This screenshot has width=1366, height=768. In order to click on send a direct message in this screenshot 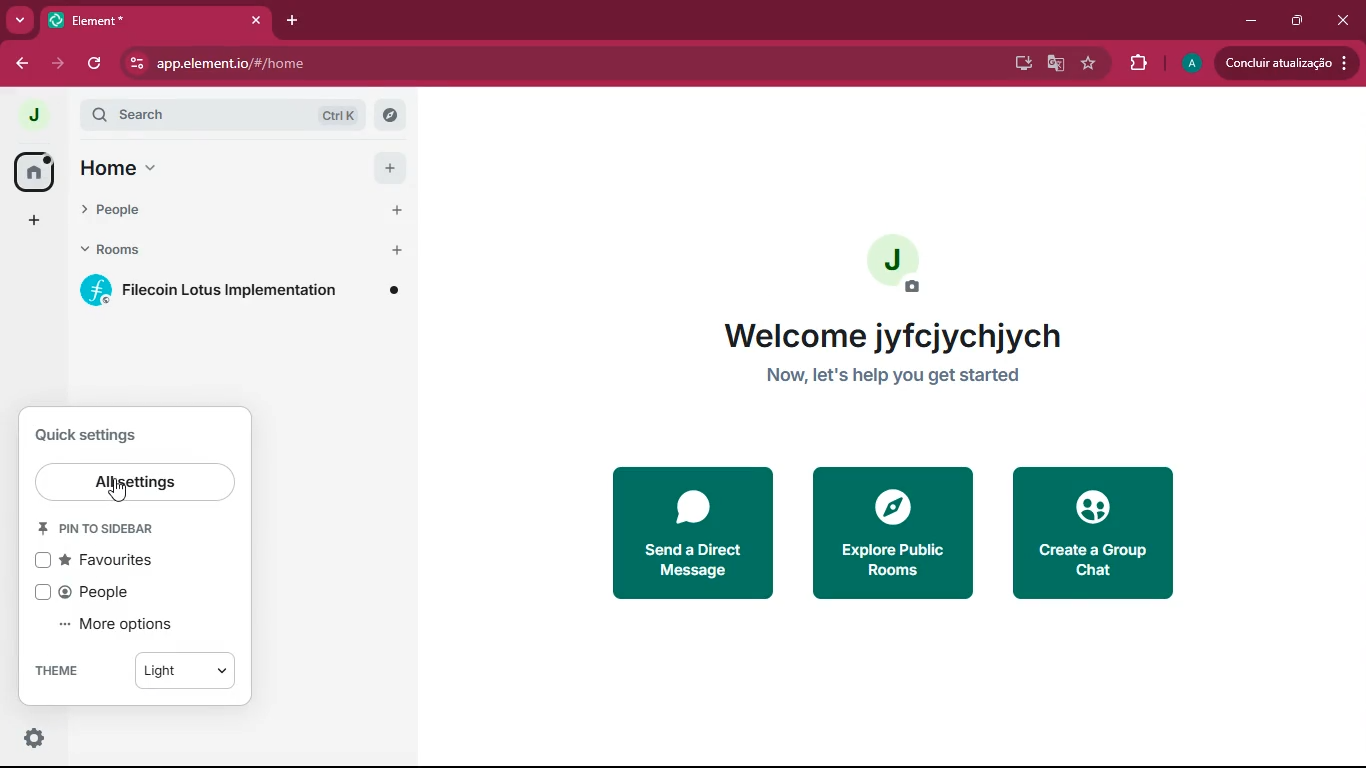, I will do `click(688, 530)`.